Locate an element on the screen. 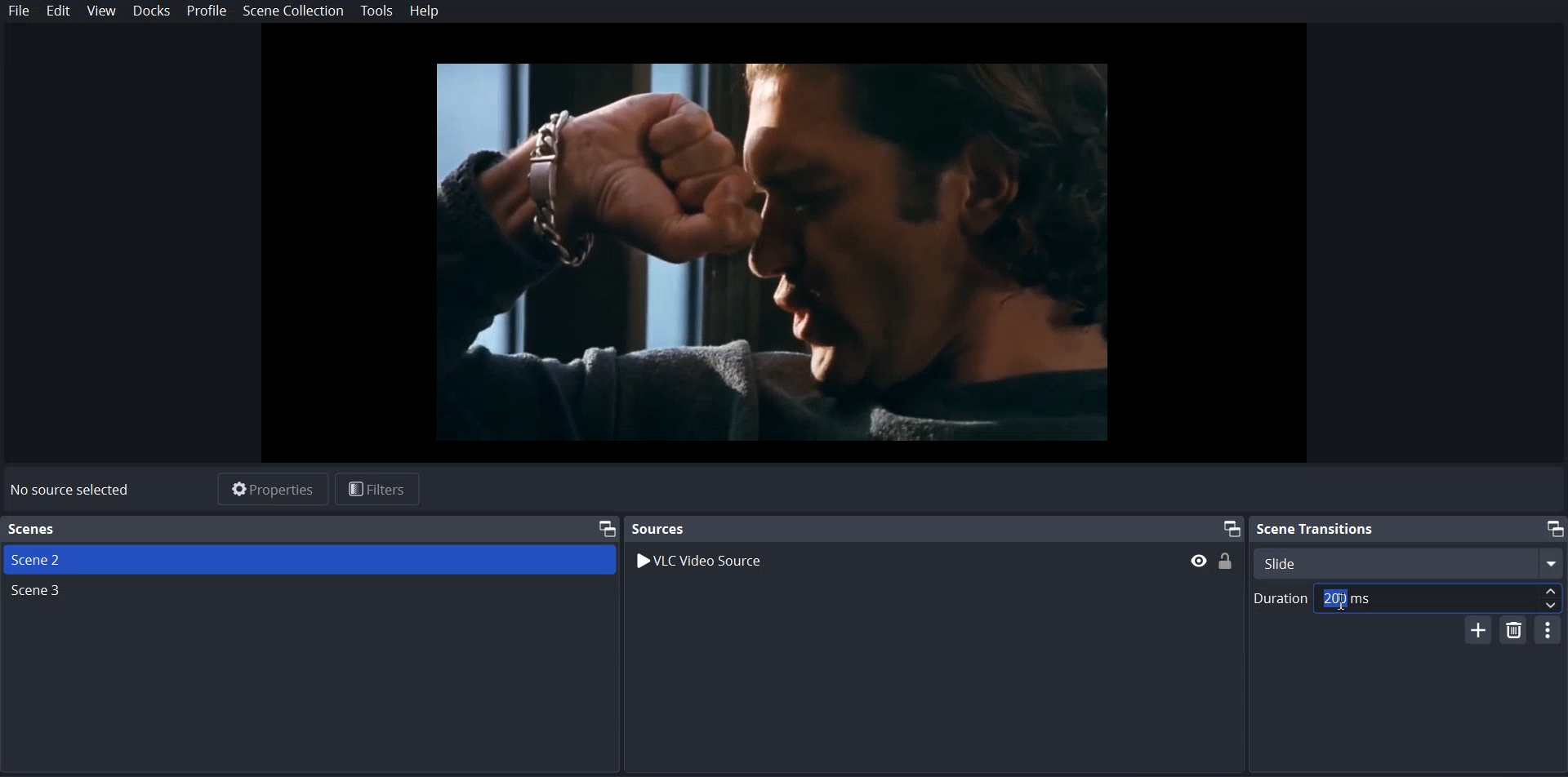 The width and height of the screenshot is (1568, 777). Profile is located at coordinates (207, 11).